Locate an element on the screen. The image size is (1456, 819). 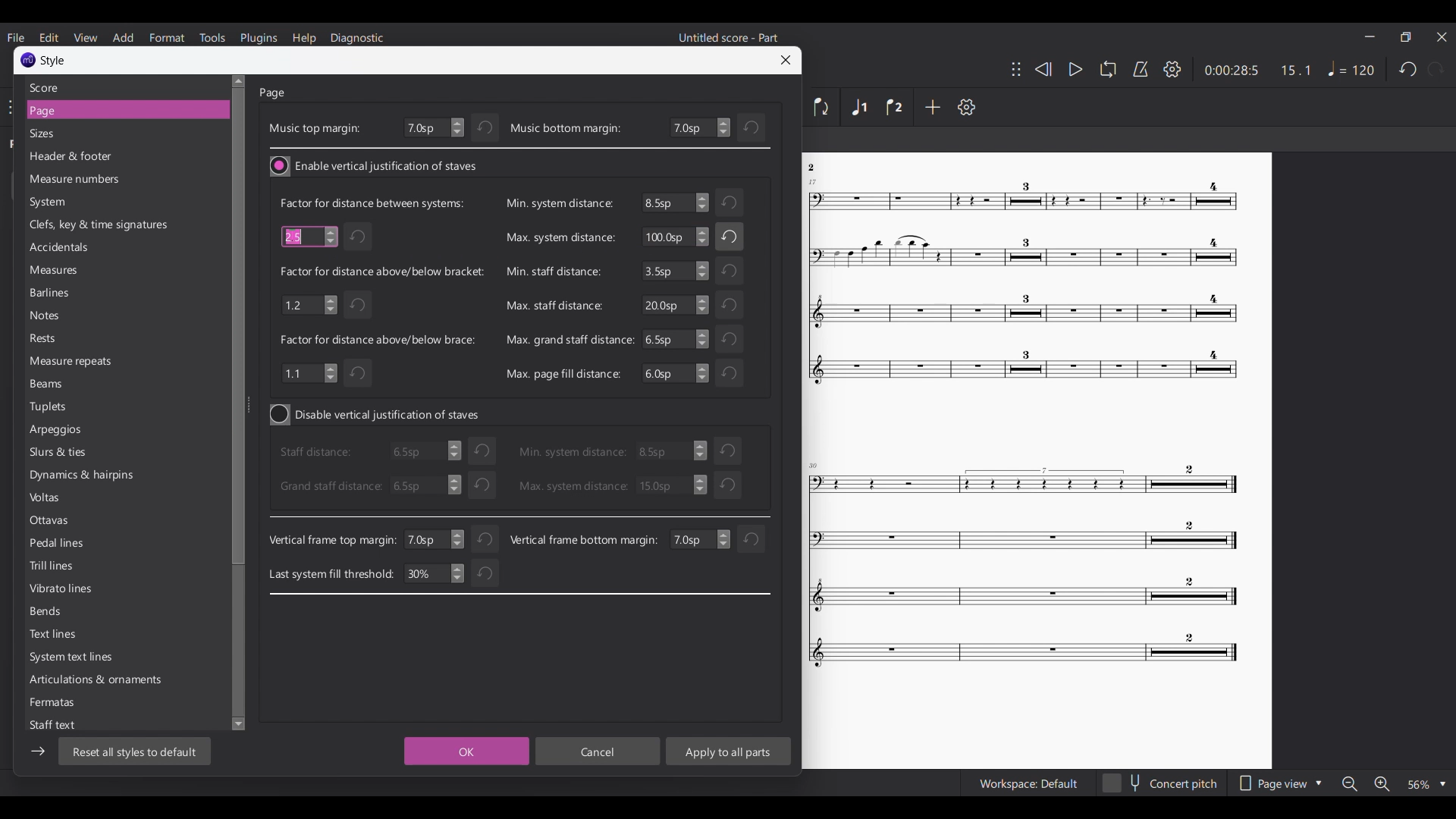
Max. page fill distance is located at coordinates (563, 373).